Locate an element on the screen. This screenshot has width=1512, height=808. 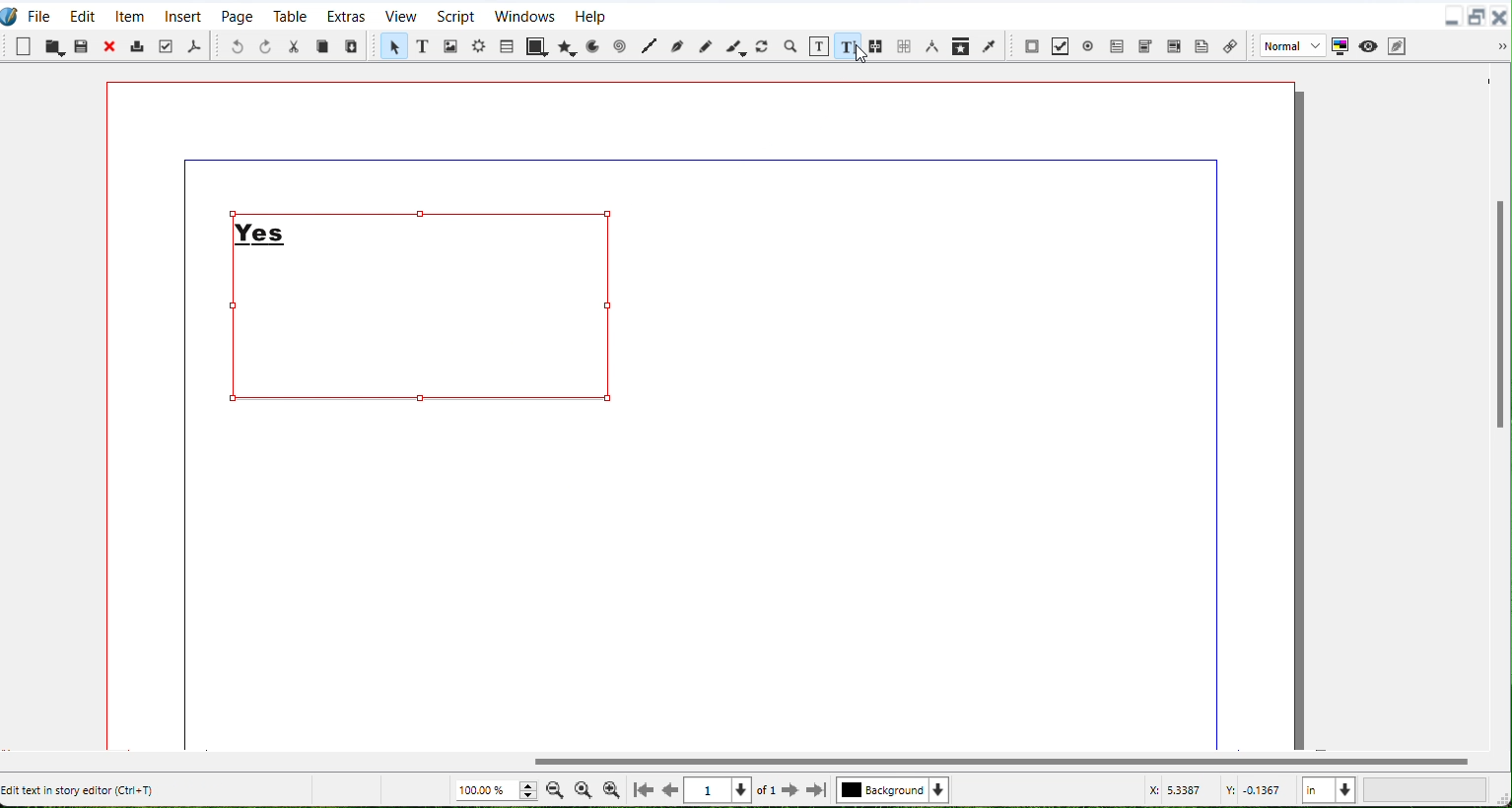
Vertical scroll bar is located at coordinates (1496, 406).